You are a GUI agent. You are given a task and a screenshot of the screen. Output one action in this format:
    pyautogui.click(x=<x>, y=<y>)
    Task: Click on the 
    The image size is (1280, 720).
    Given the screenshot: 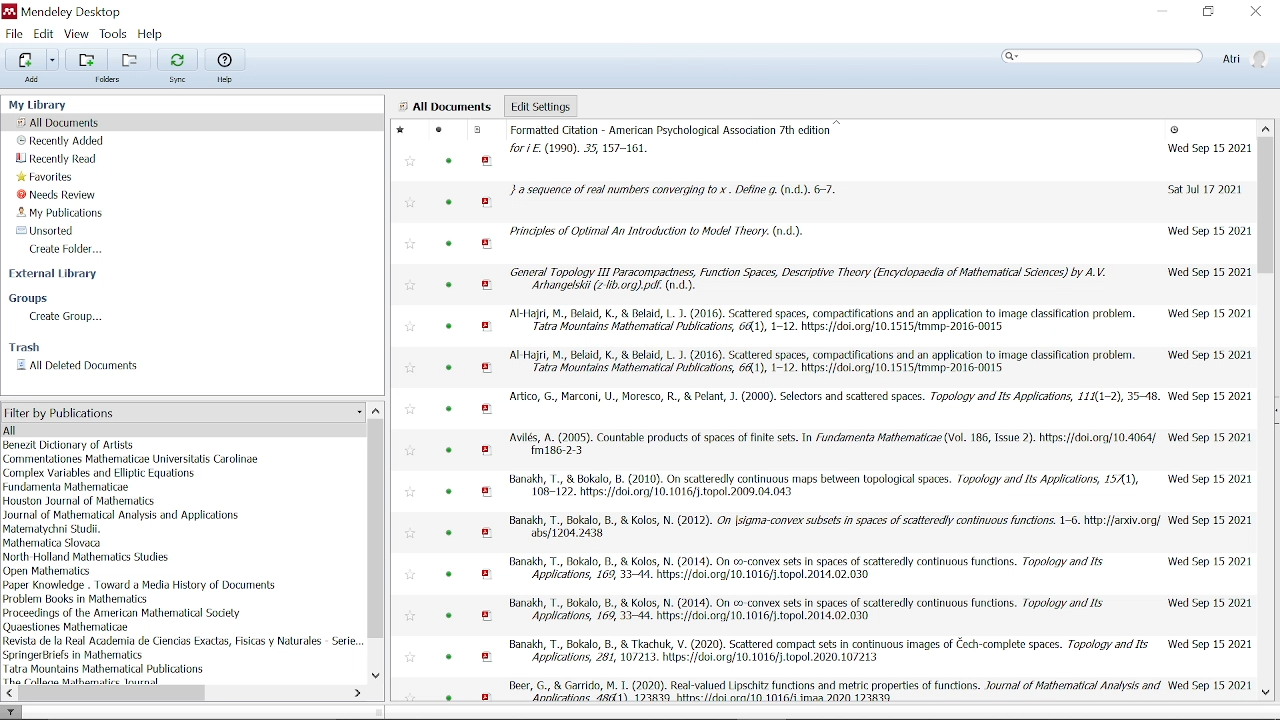 What is the action you would take?
    pyautogui.click(x=12, y=693)
    